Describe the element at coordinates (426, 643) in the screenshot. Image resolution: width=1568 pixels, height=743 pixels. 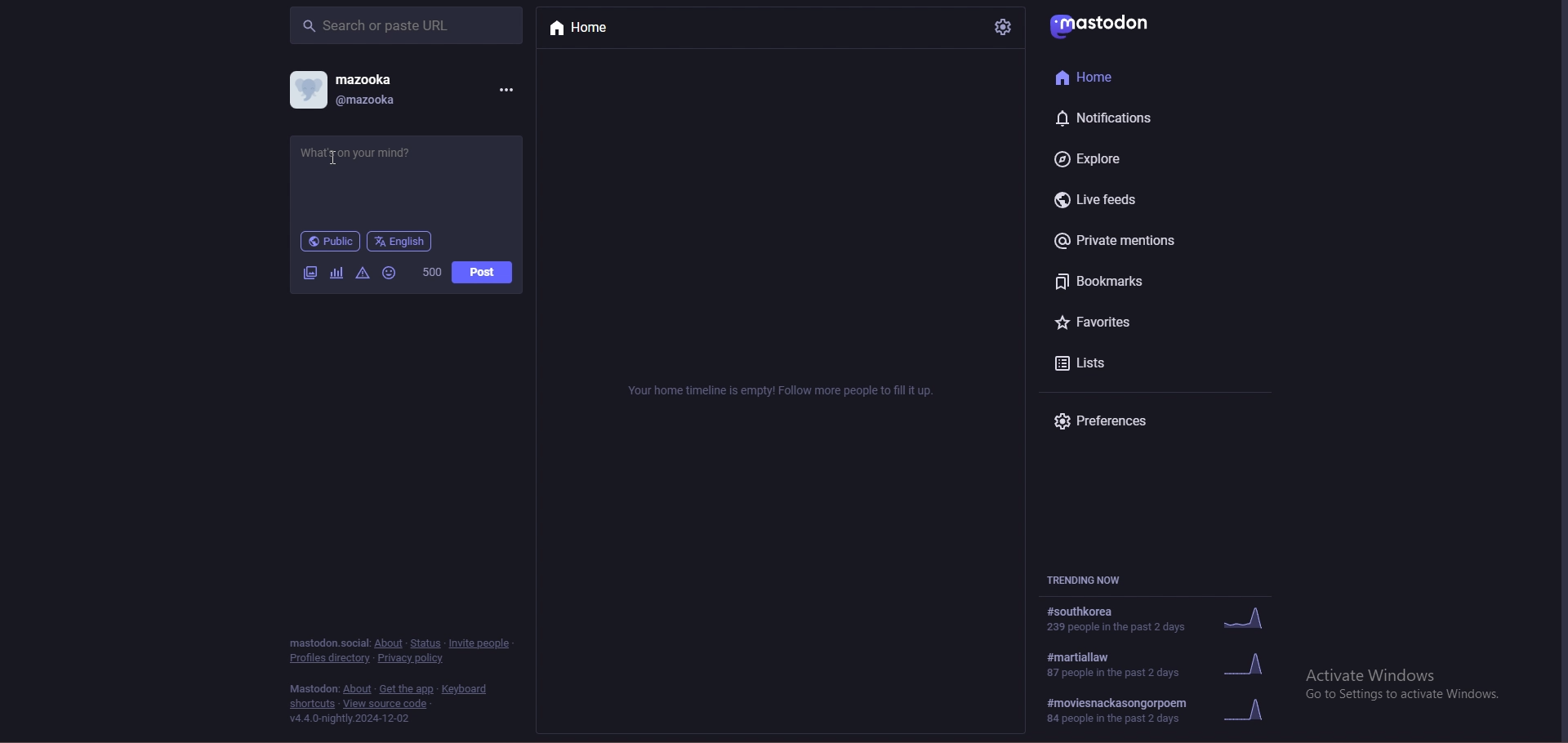
I see `status` at that location.